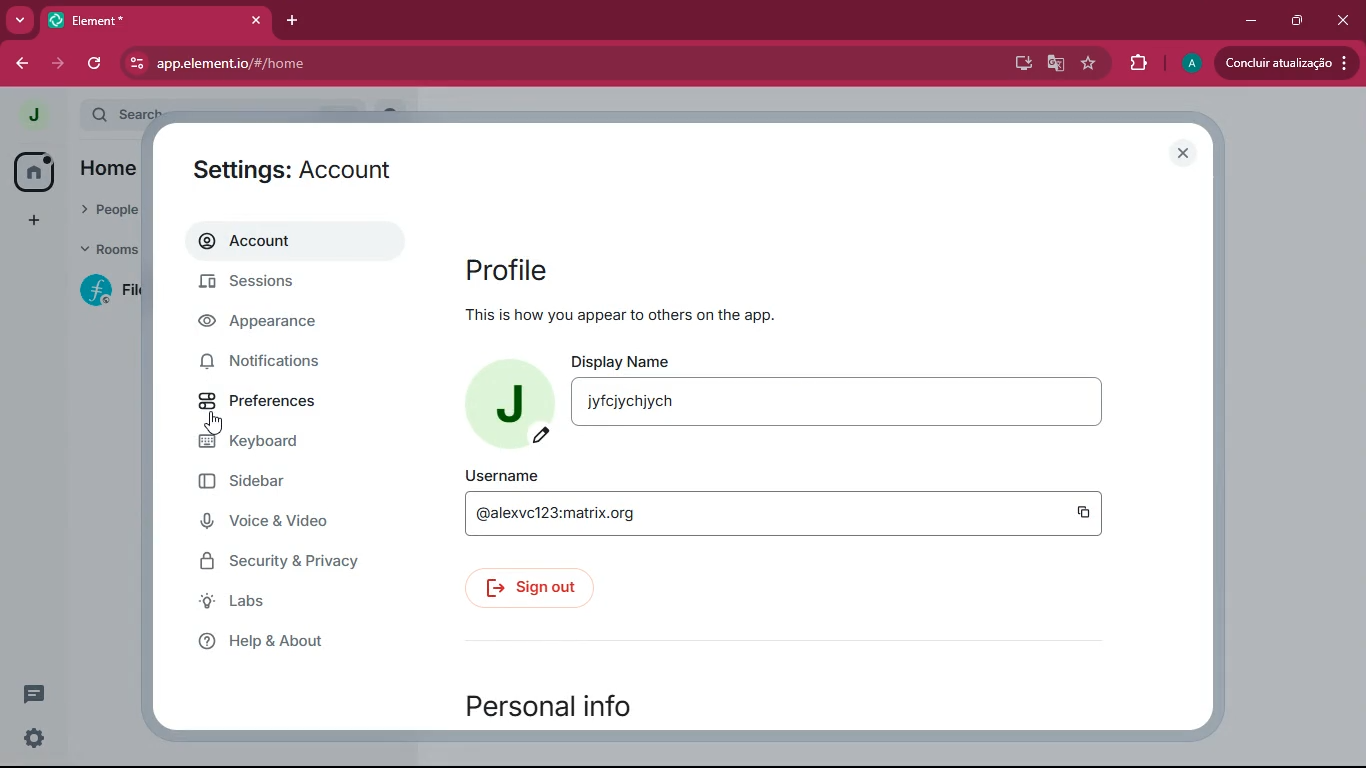 This screenshot has height=768, width=1366. I want to click on preferences, so click(276, 403).